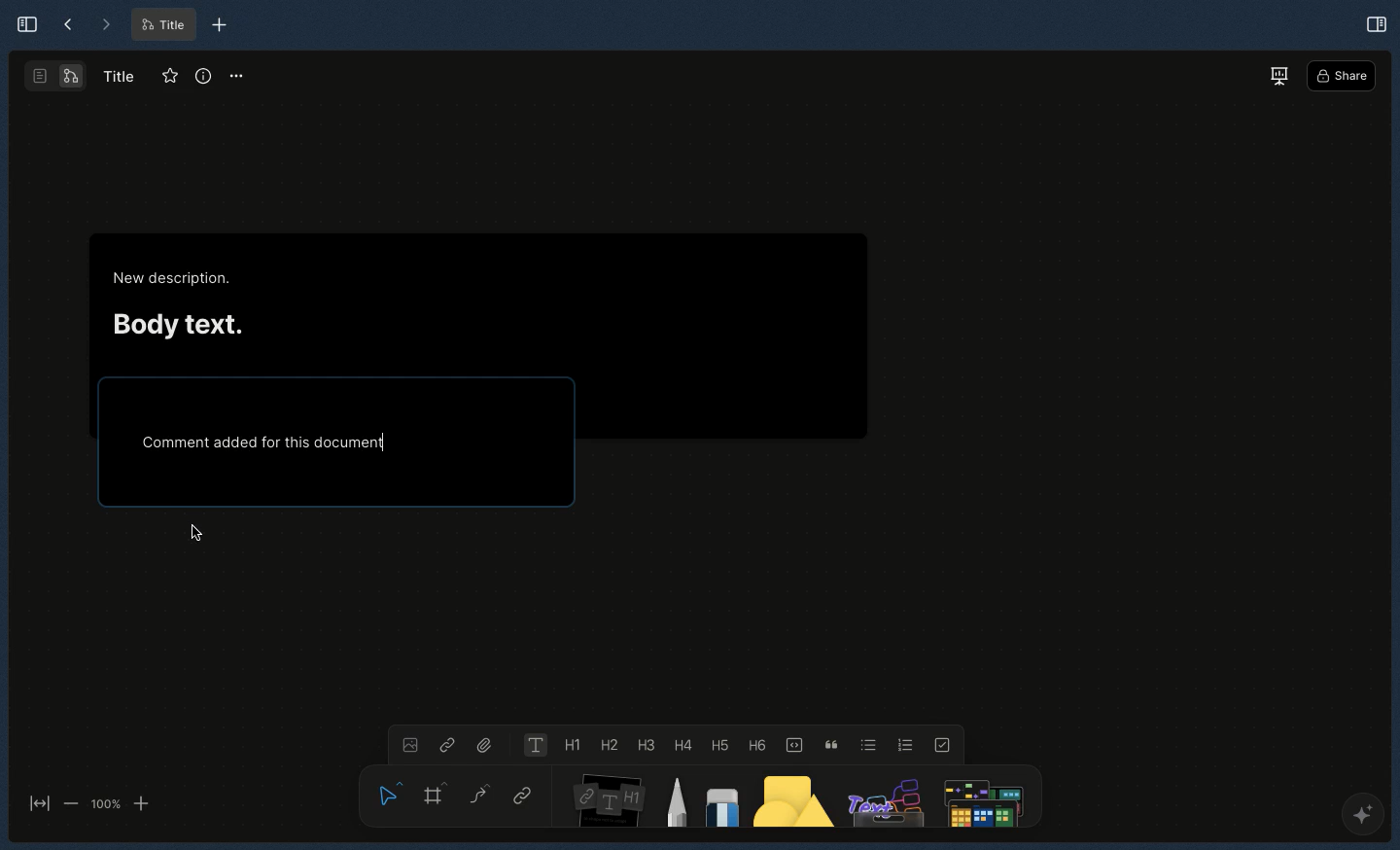 This screenshot has width=1400, height=850. I want to click on Numbered list, so click(906, 744).